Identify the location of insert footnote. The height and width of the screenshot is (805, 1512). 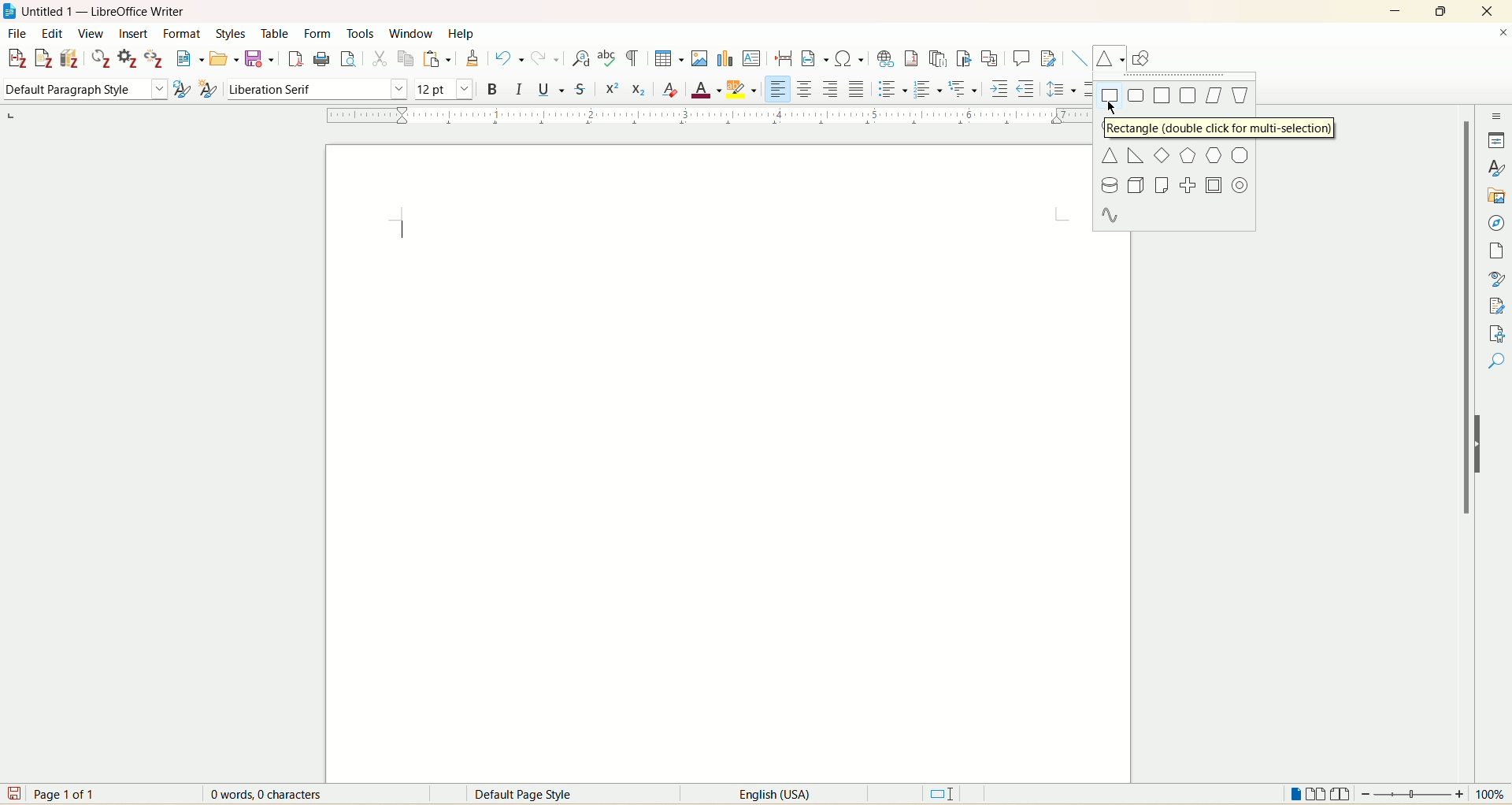
(913, 59).